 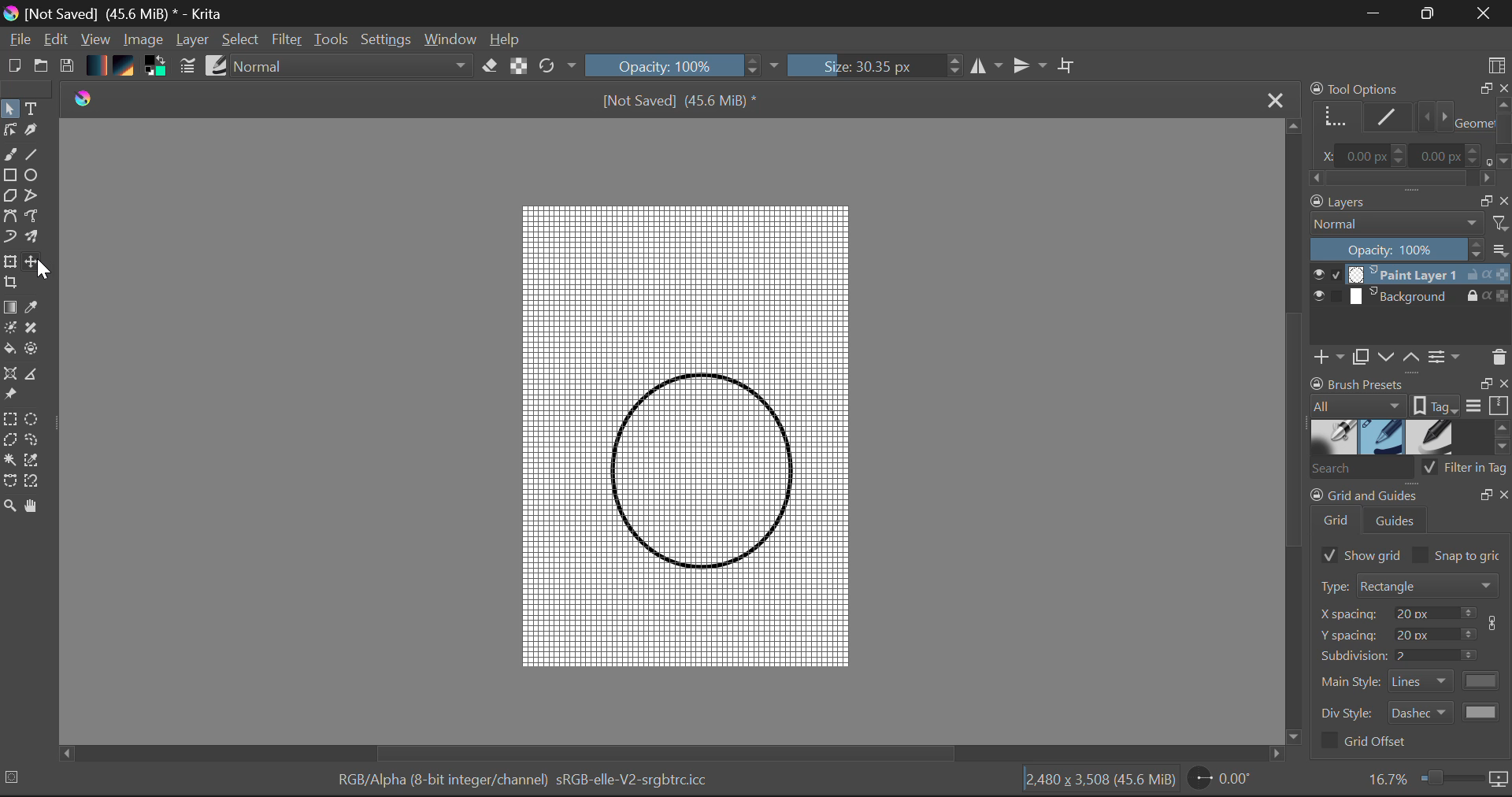 What do you see at coordinates (348, 68) in the screenshot?
I see `Blending Modes` at bounding box center [348, 68].